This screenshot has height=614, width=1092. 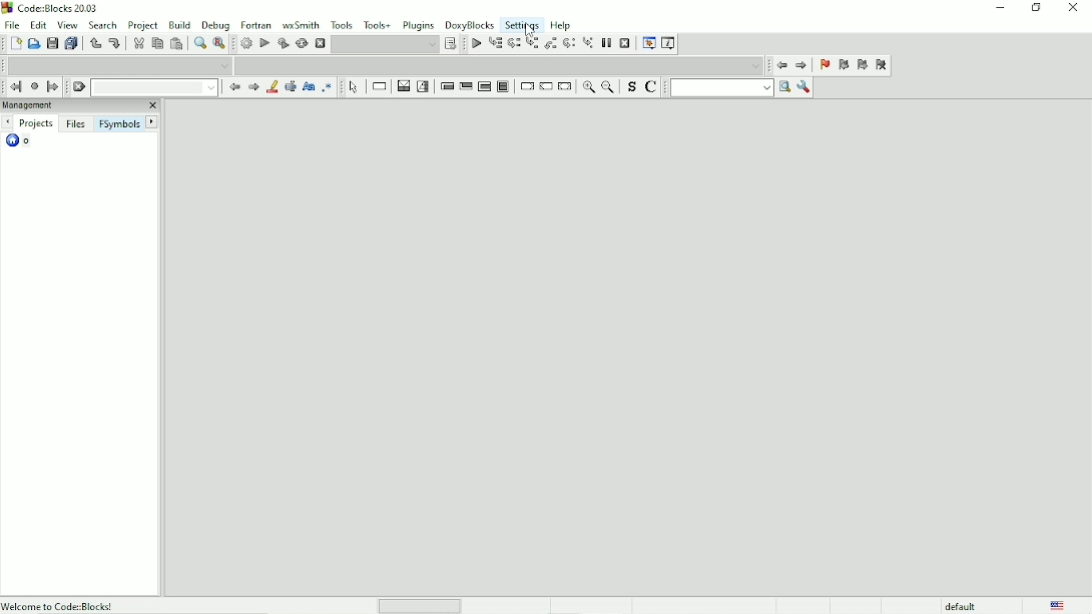 What do you see at coordinates (289, 87) in the screenshot?
I see `Selected text` at bounding box center [289, 87].